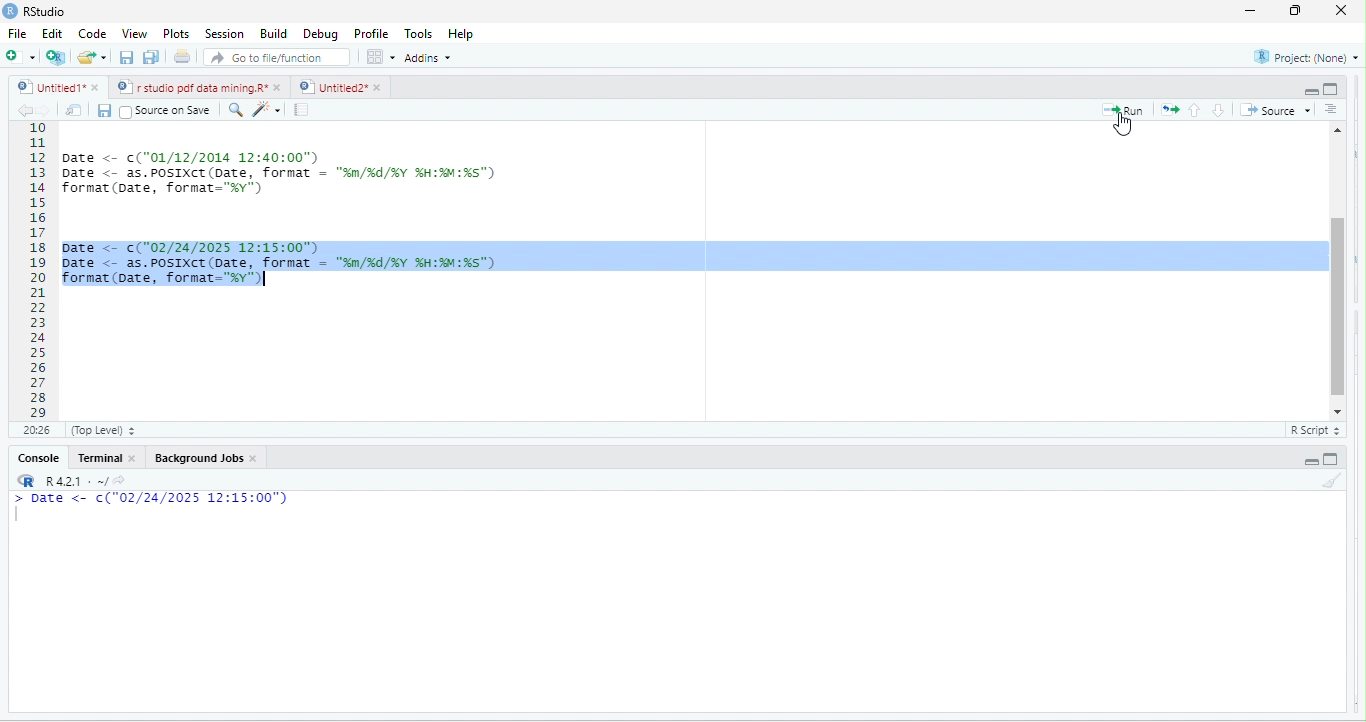 This screenshot has height=722, width=1366. What do you see at coordinates (150, 57) in the screenshot?
I see `save all open documents` at bounding box center [150, 57].